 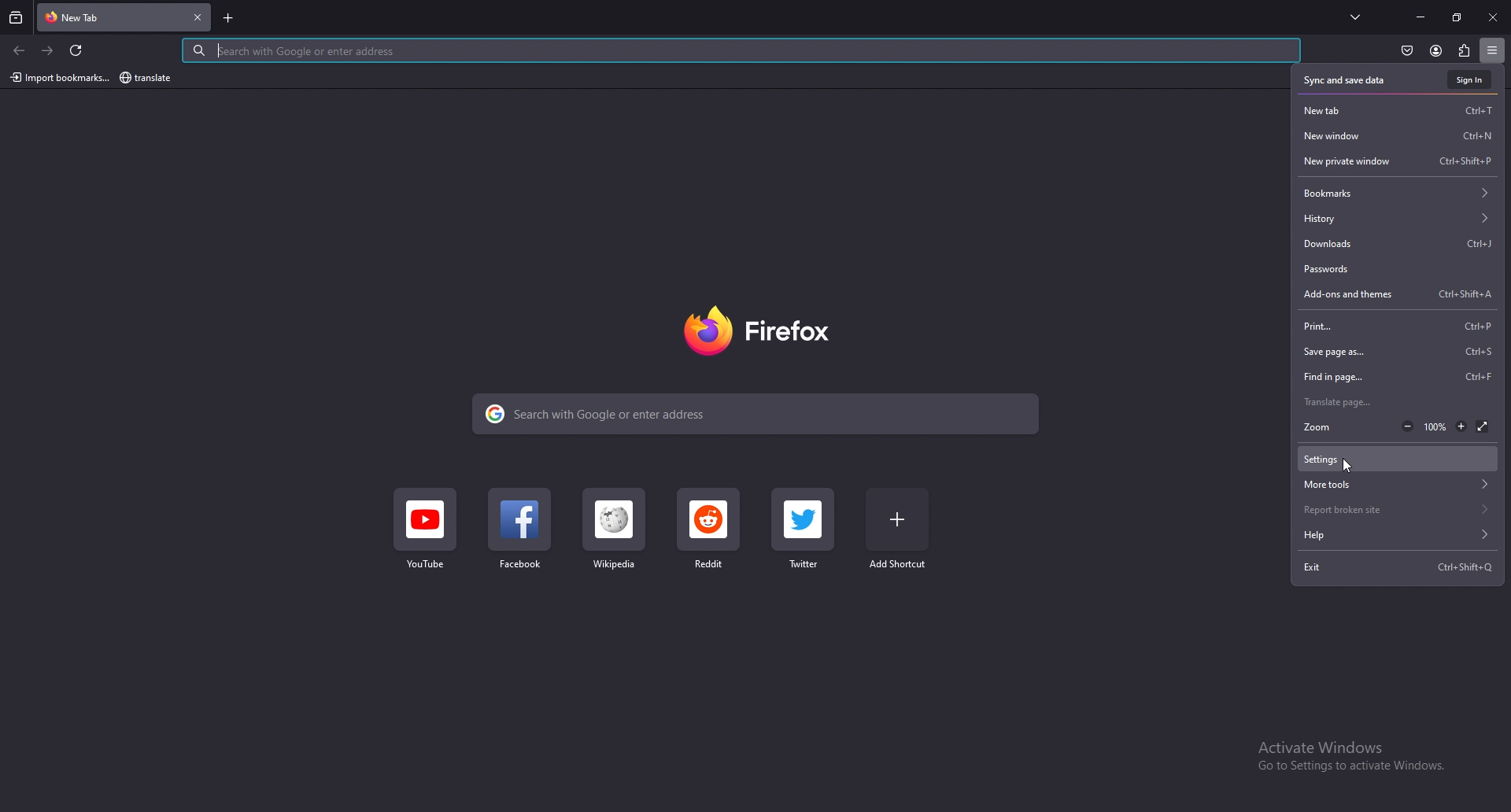 I want to click on settings, so click(x=1393, y=458).